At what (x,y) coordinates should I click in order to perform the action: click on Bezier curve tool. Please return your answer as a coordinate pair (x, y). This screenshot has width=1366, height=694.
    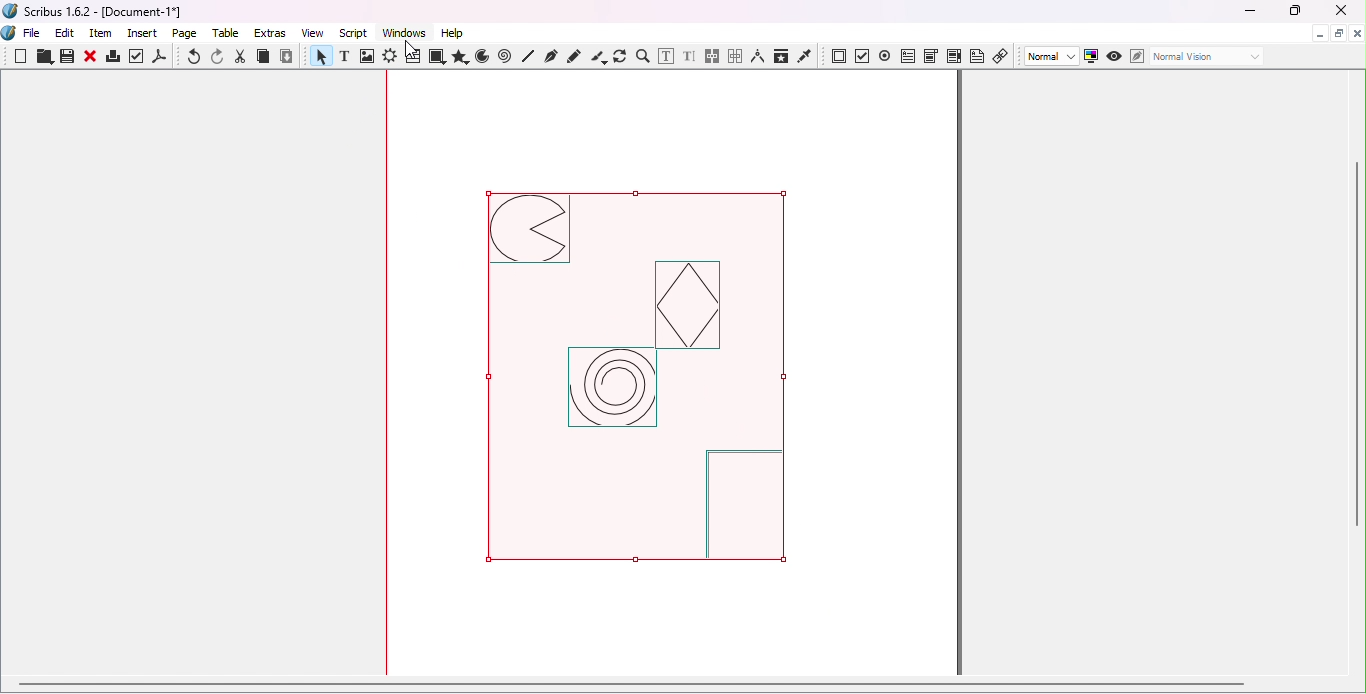
    Looking at the image, I should click on (550, 56).